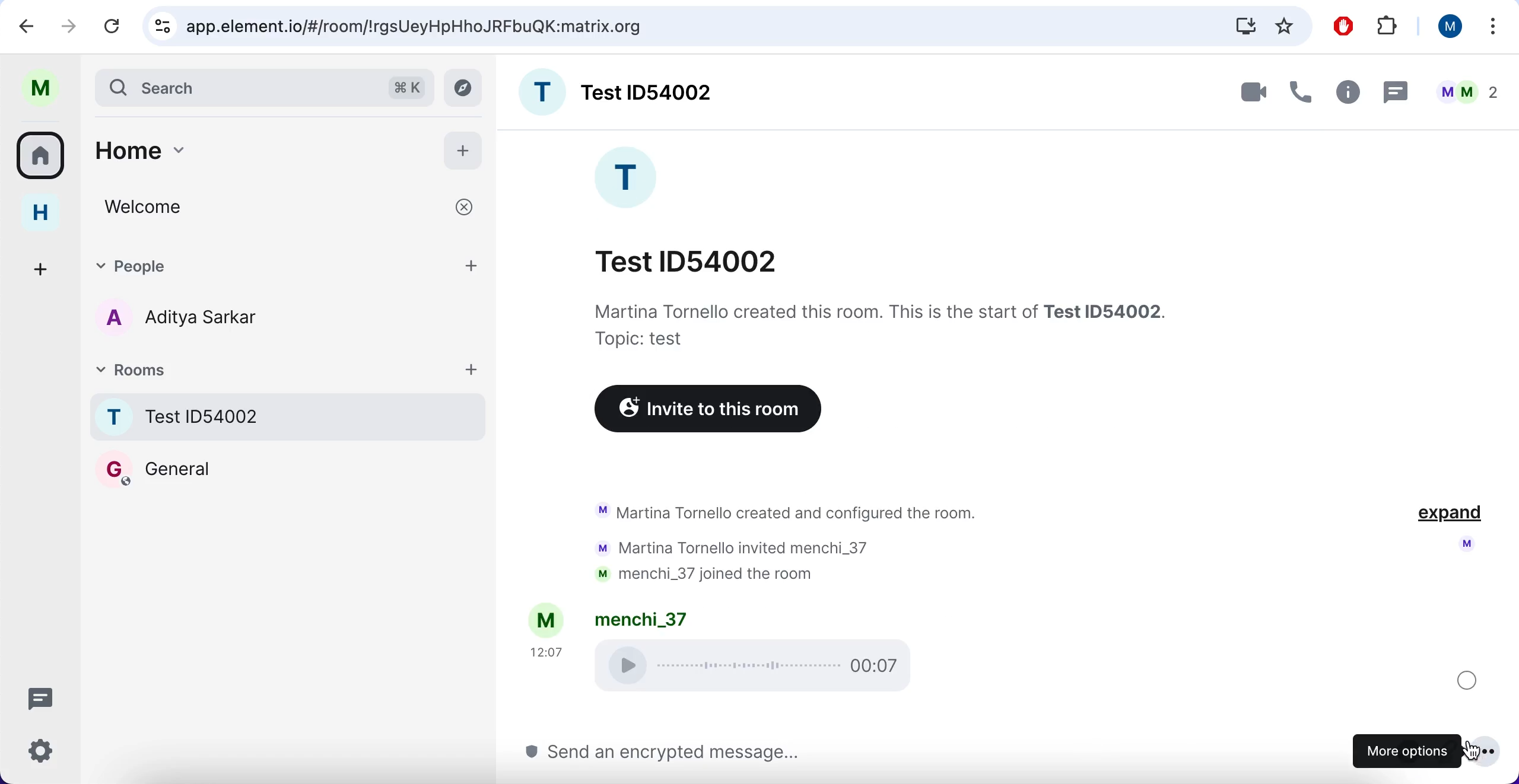 The image size is (1519, 784). Describe the element at coordinates (290, 416) in the screenshot. I see `room name` at that location.